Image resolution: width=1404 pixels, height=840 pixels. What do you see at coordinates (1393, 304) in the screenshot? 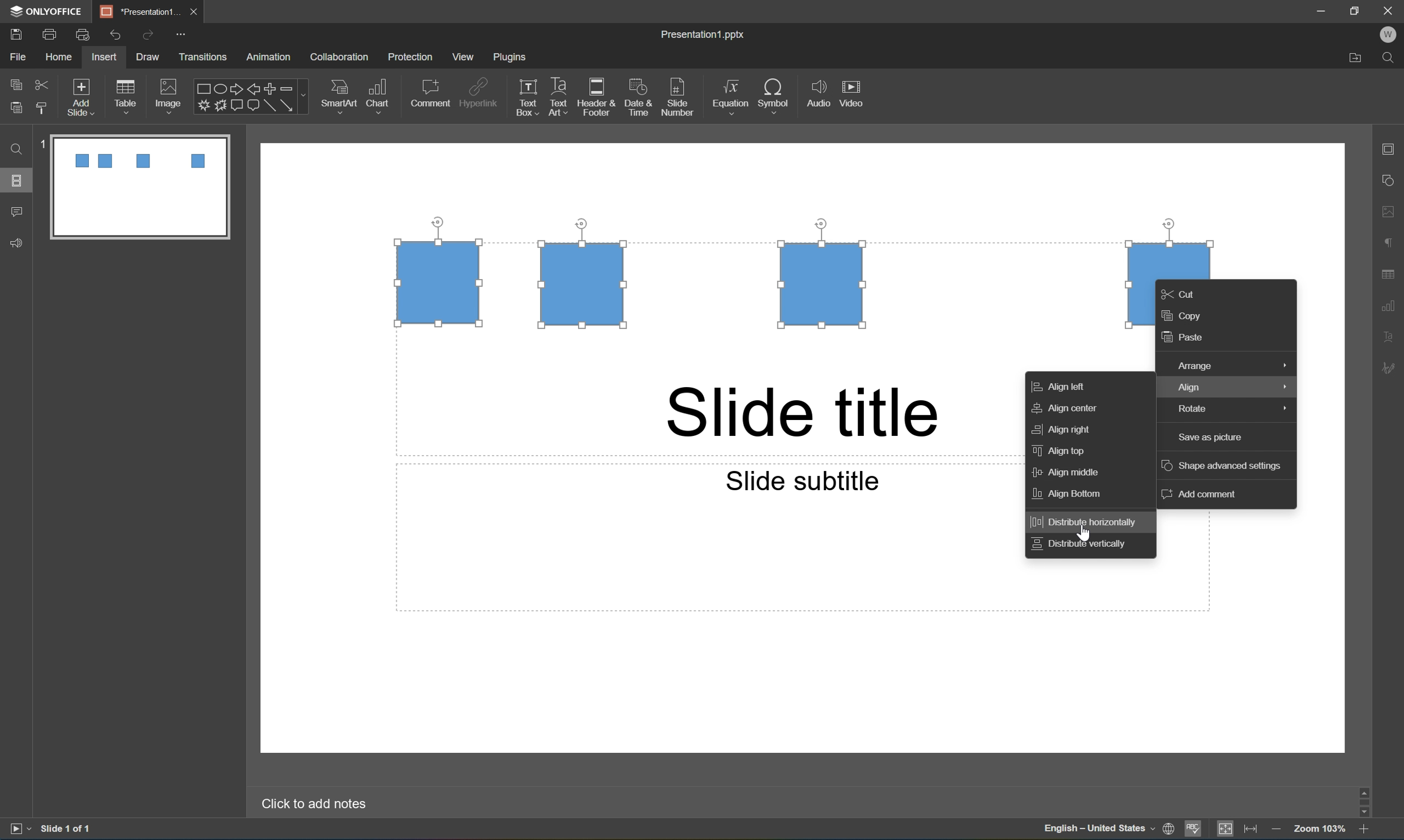
I see `chart settings` at bounding box center [1393, 304].